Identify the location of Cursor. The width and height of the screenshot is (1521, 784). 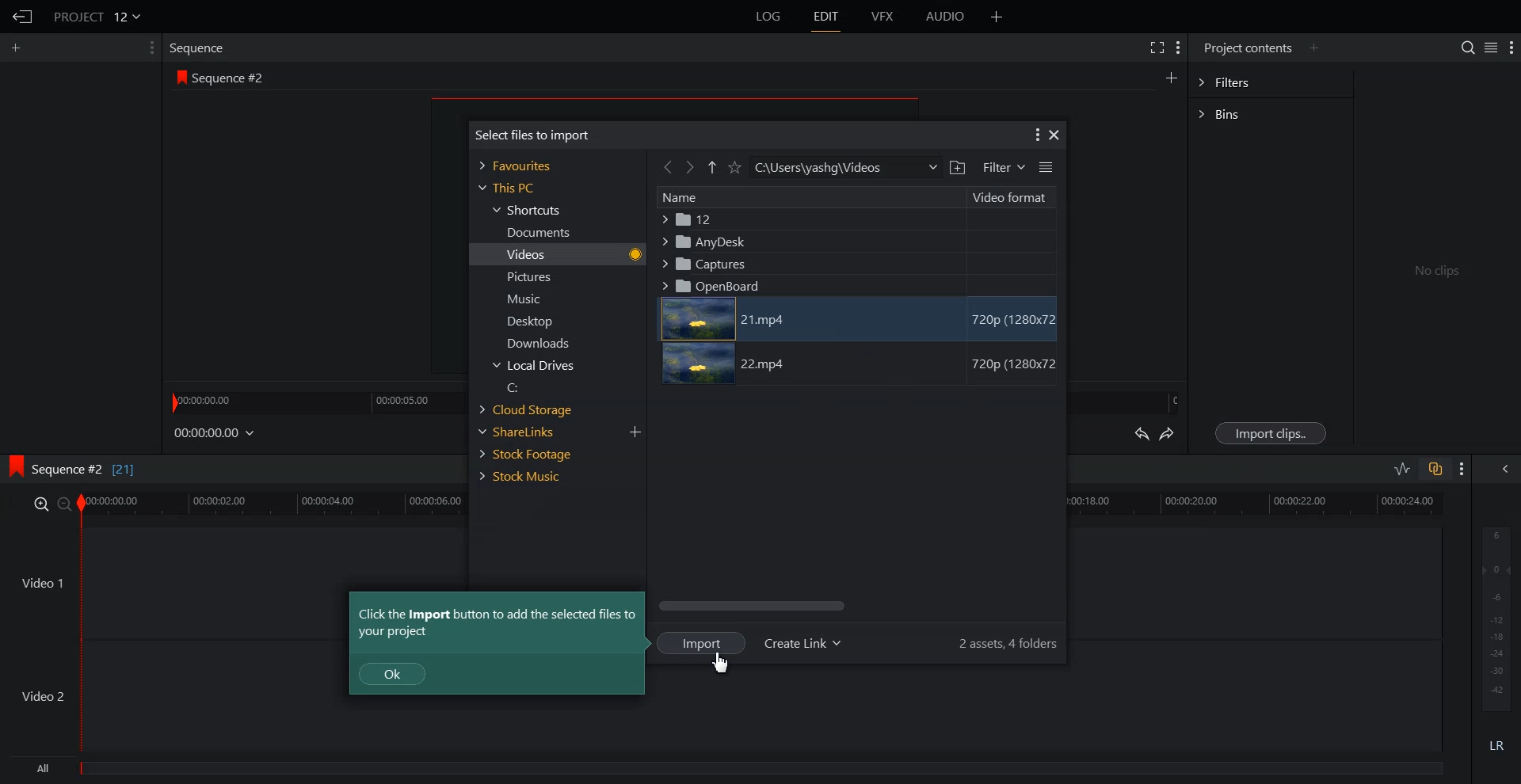
(722, 661).